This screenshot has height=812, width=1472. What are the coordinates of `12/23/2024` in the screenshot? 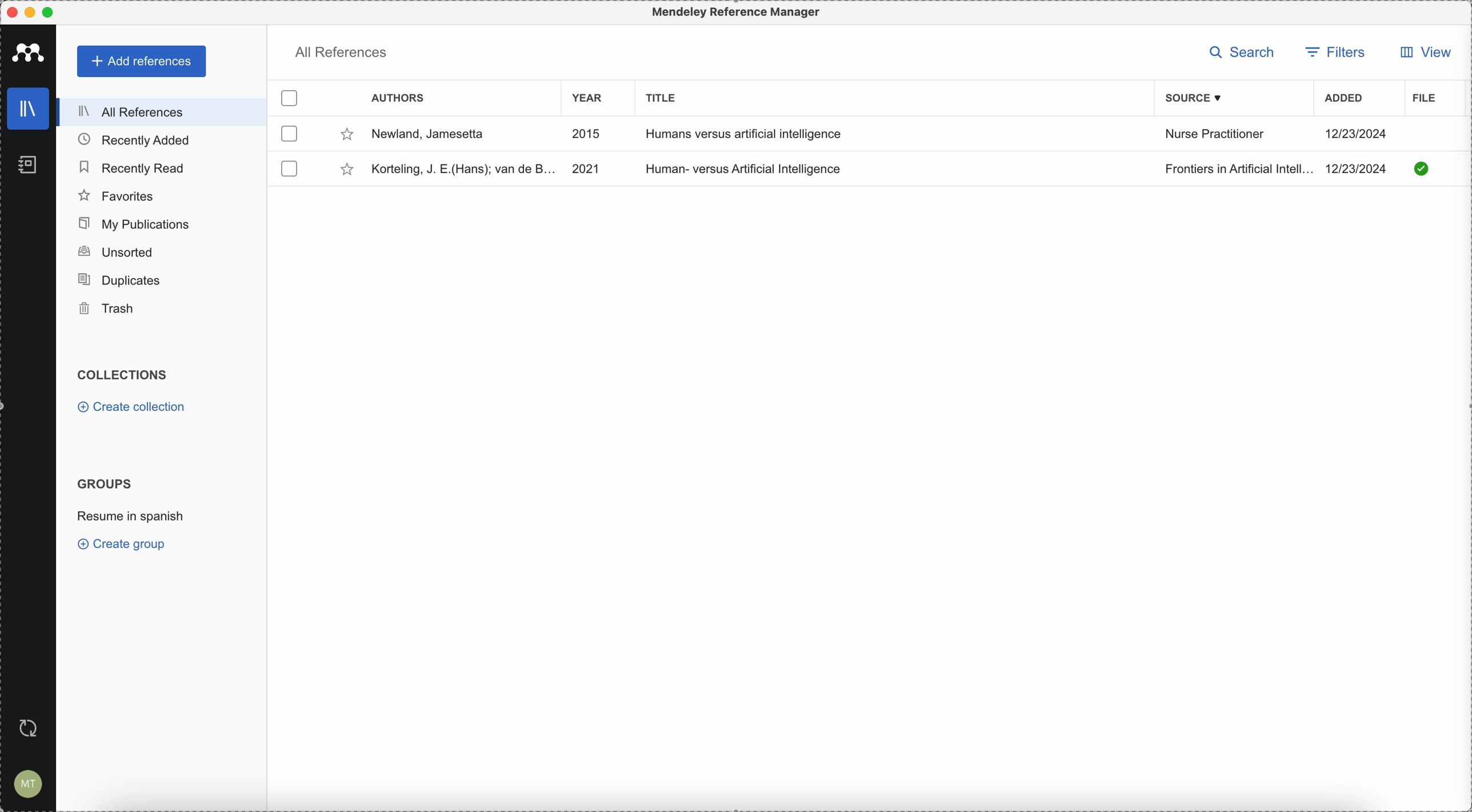 It's located at (1357, 133).